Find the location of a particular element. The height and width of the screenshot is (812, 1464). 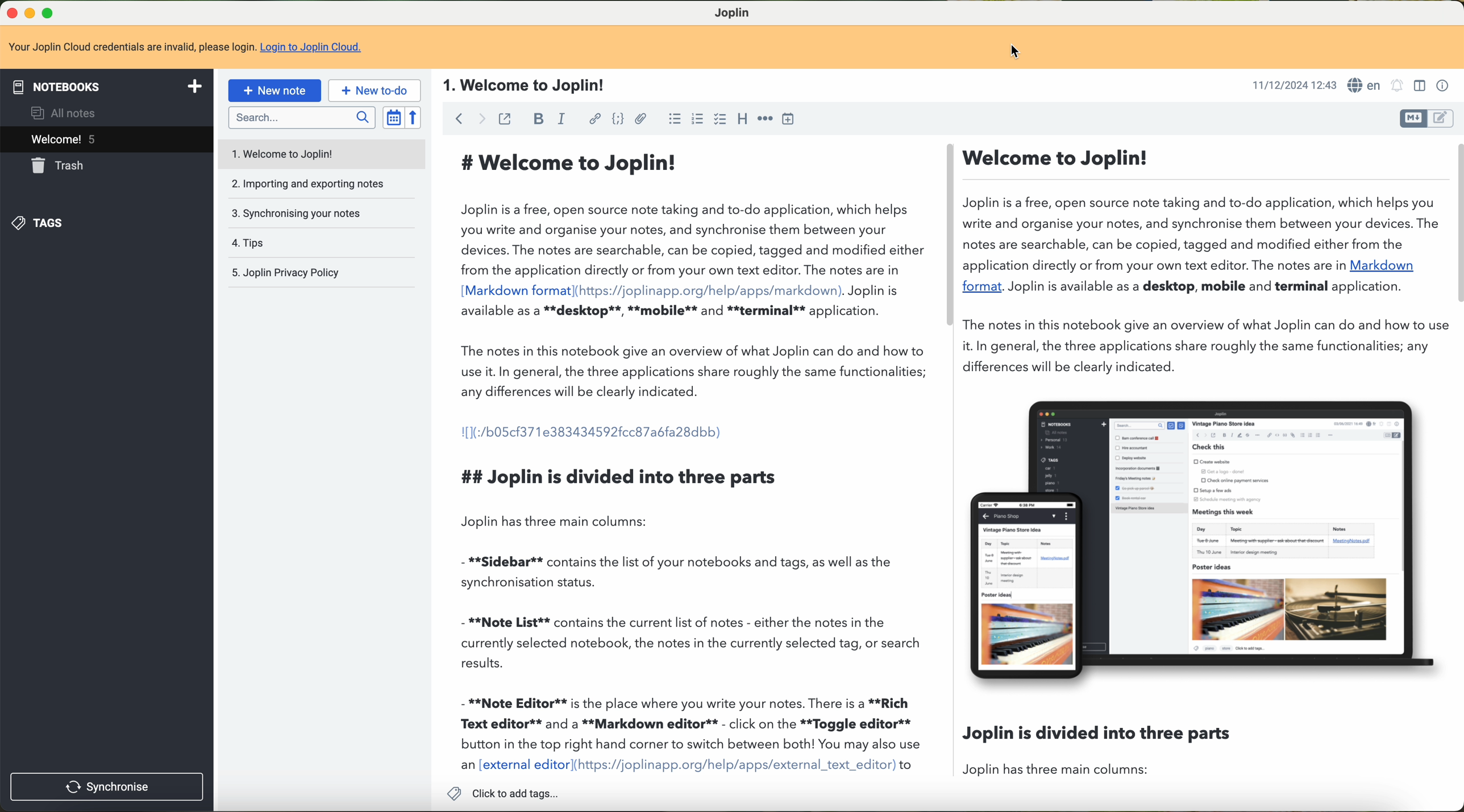

toggle editors is located at coordinates (1415, 120).